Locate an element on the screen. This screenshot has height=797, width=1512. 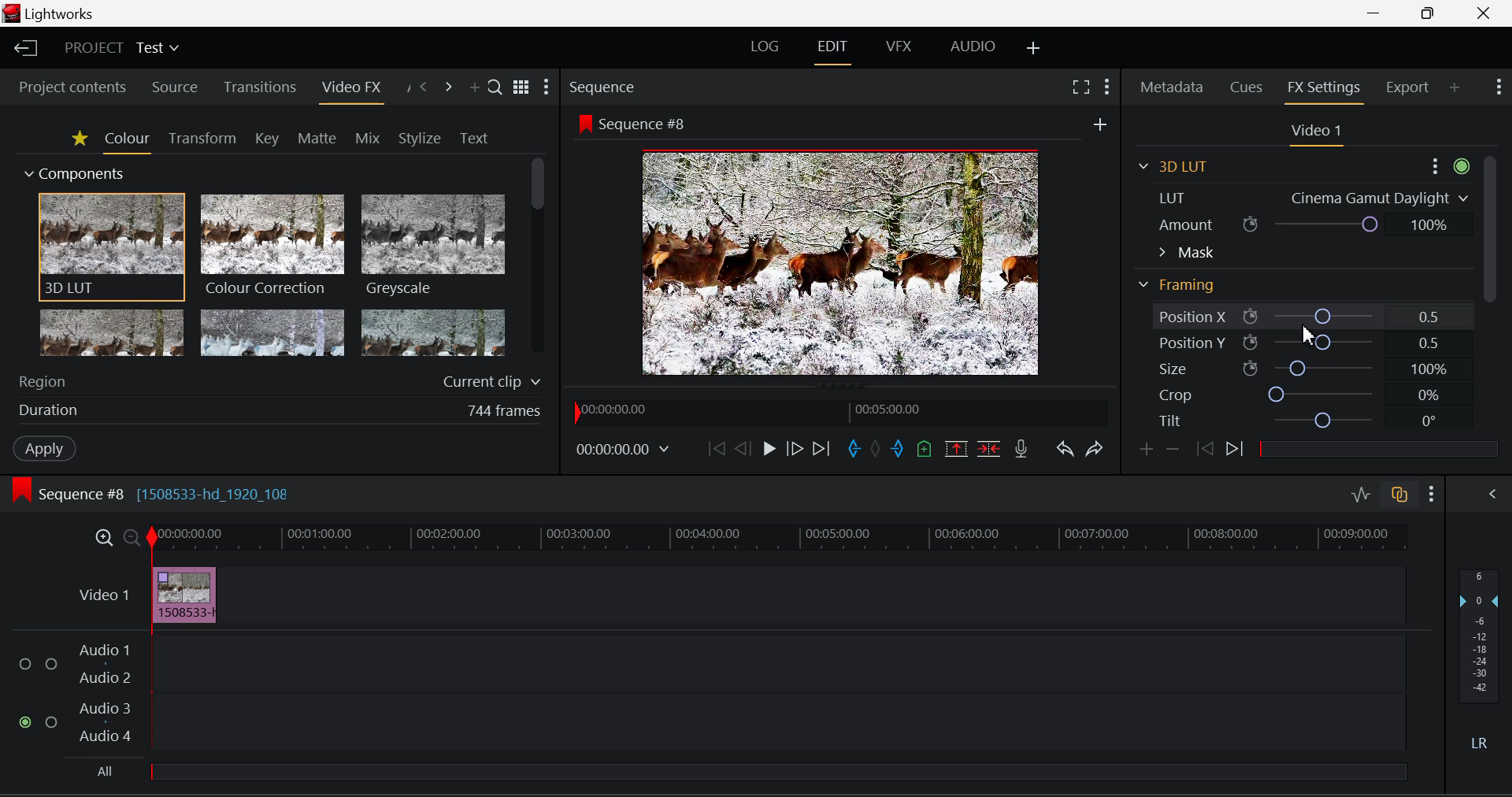
Audio 3 is located at coordinates (107, 708).